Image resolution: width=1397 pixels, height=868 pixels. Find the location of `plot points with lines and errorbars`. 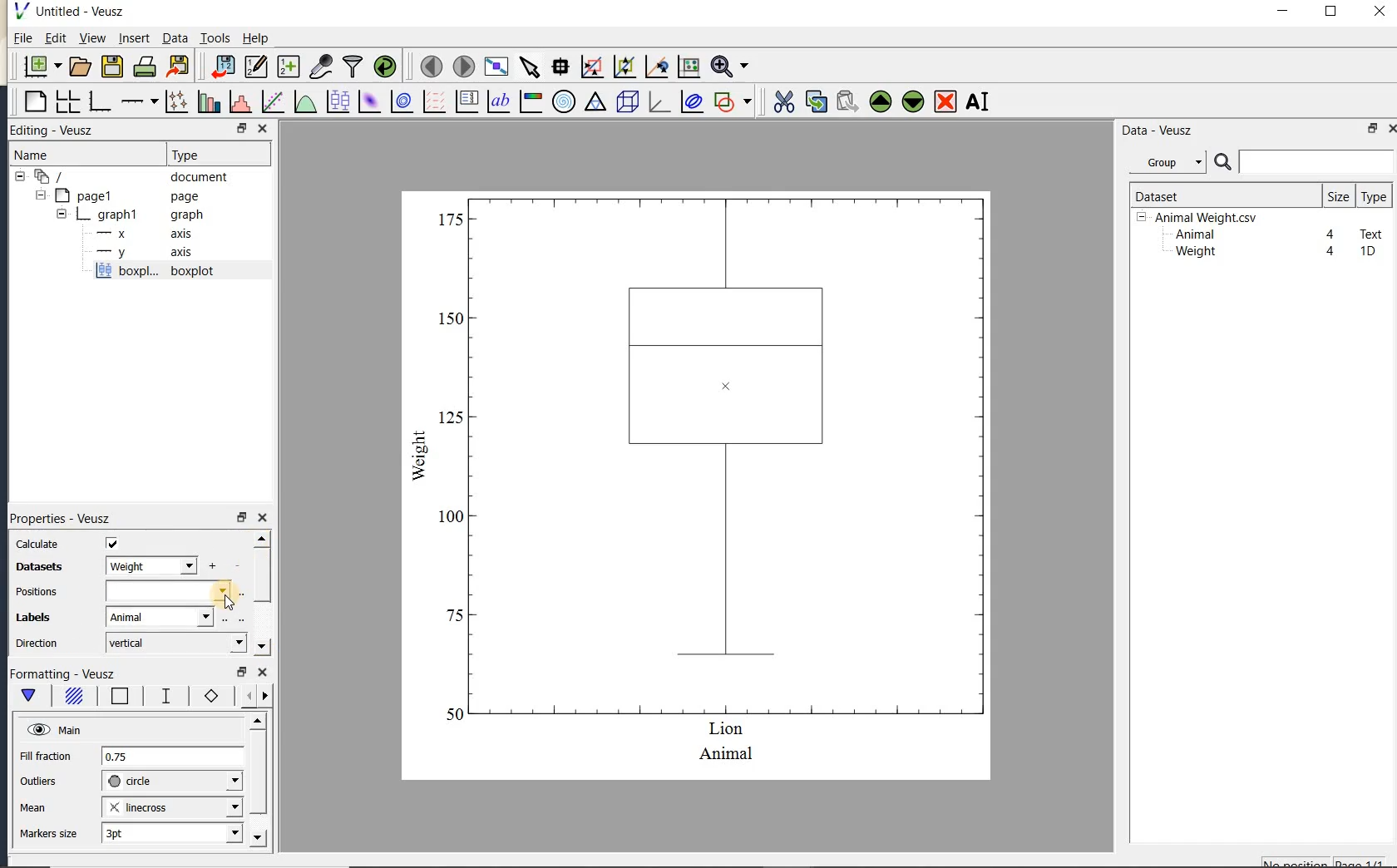

plot points with lines and errorbars is located at coordinates (178, 101).